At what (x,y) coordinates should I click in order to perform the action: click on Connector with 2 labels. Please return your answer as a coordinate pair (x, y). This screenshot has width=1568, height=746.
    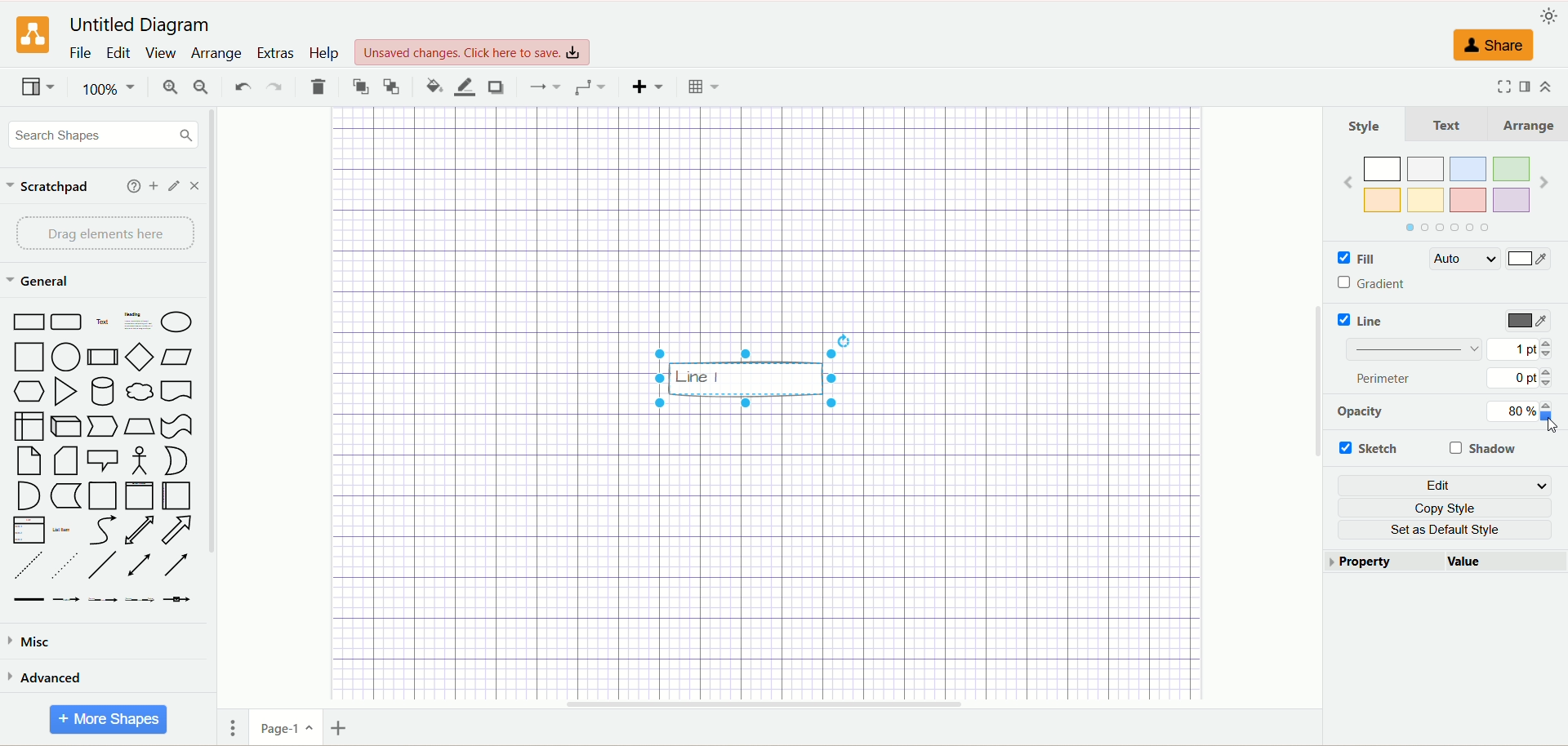
    Looking at the image, I should click on (100, 601).